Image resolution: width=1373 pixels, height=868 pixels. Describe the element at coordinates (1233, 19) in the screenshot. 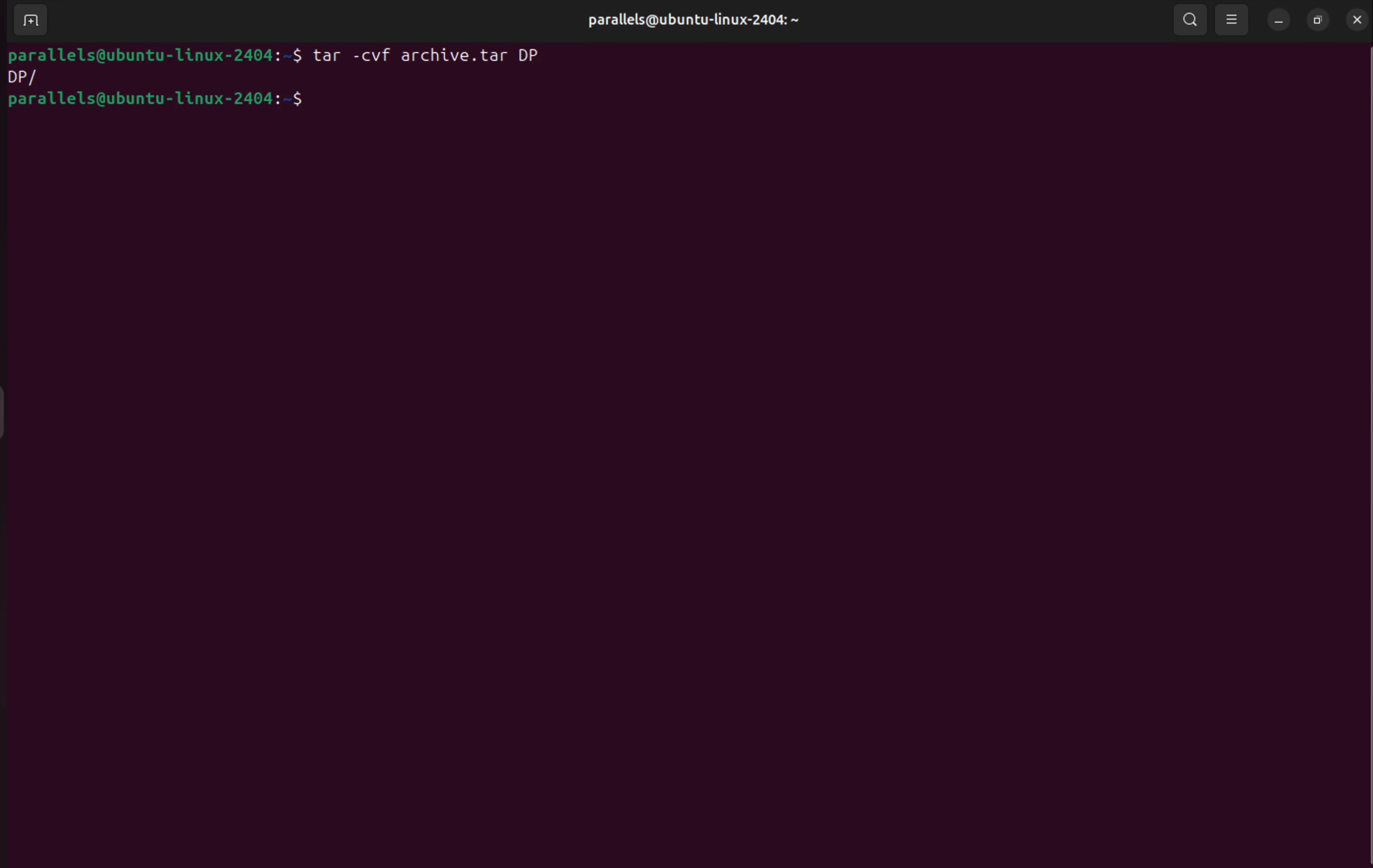

I see `view options` at that location.